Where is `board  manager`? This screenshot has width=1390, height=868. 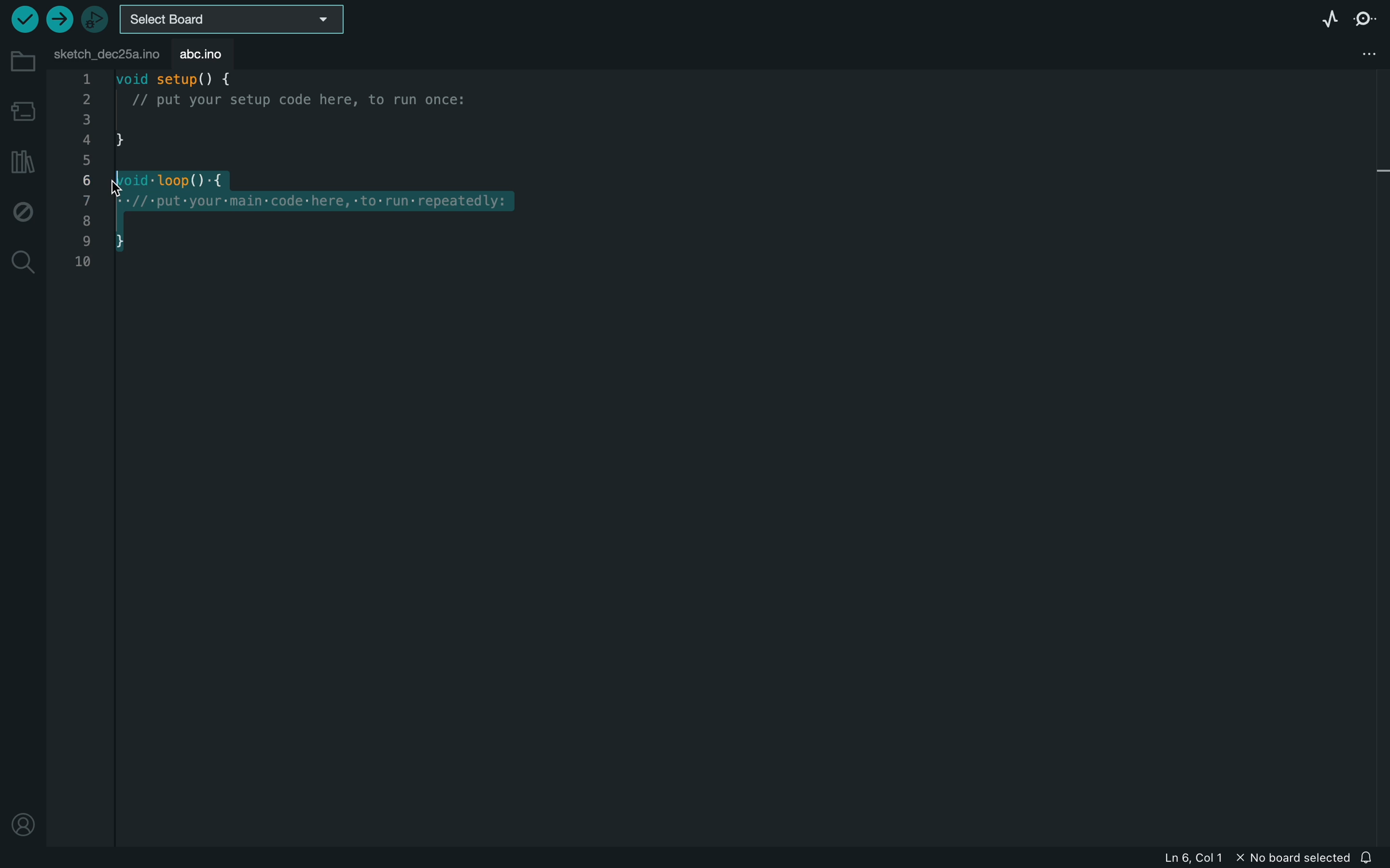 board  manager is located at coordinates (21, 110).